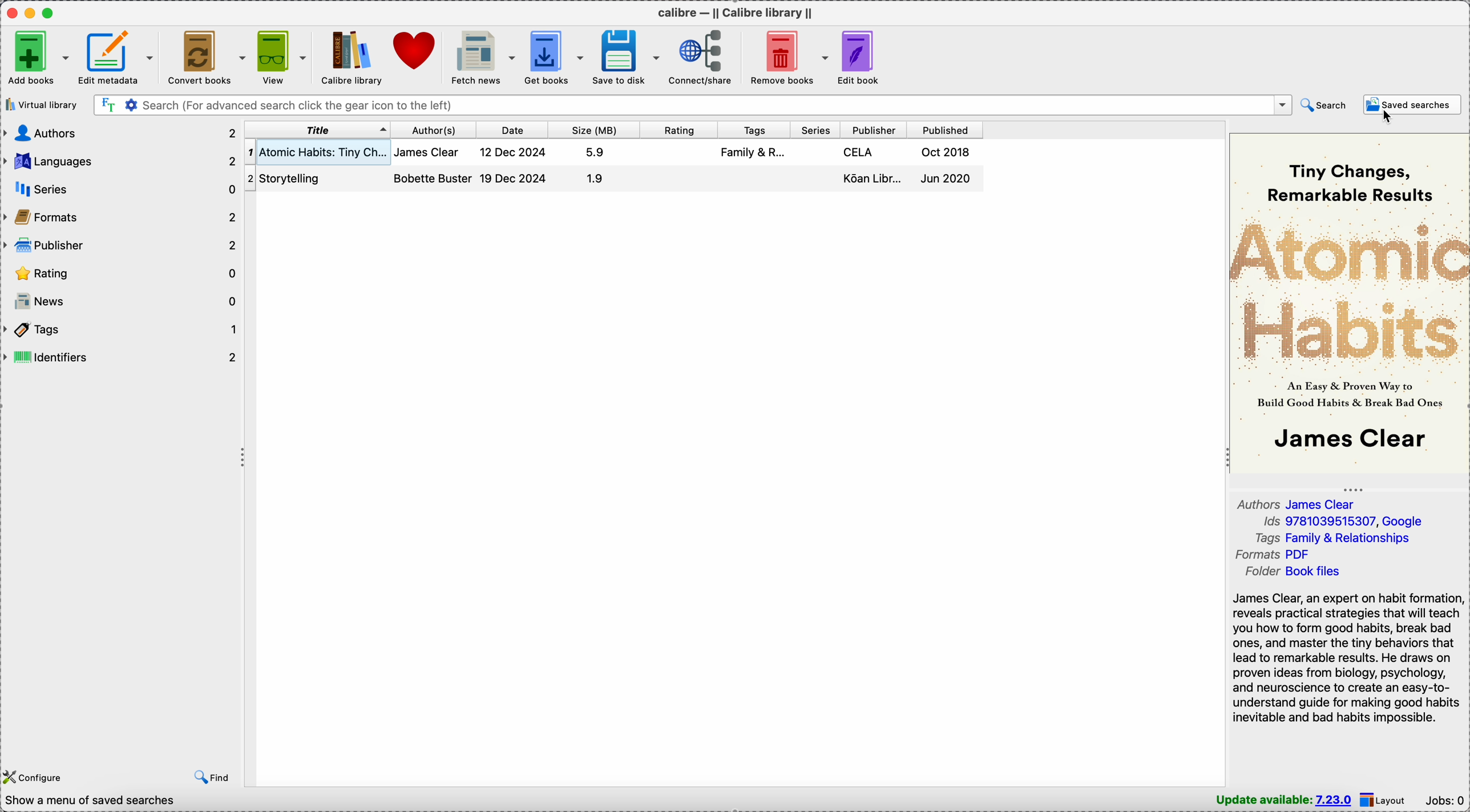 The width and height of the screenshot is (1470, 812). What do you see at coordinates (815, 130) in the screenshot?
I see `series` at bounding box center [815, 130].